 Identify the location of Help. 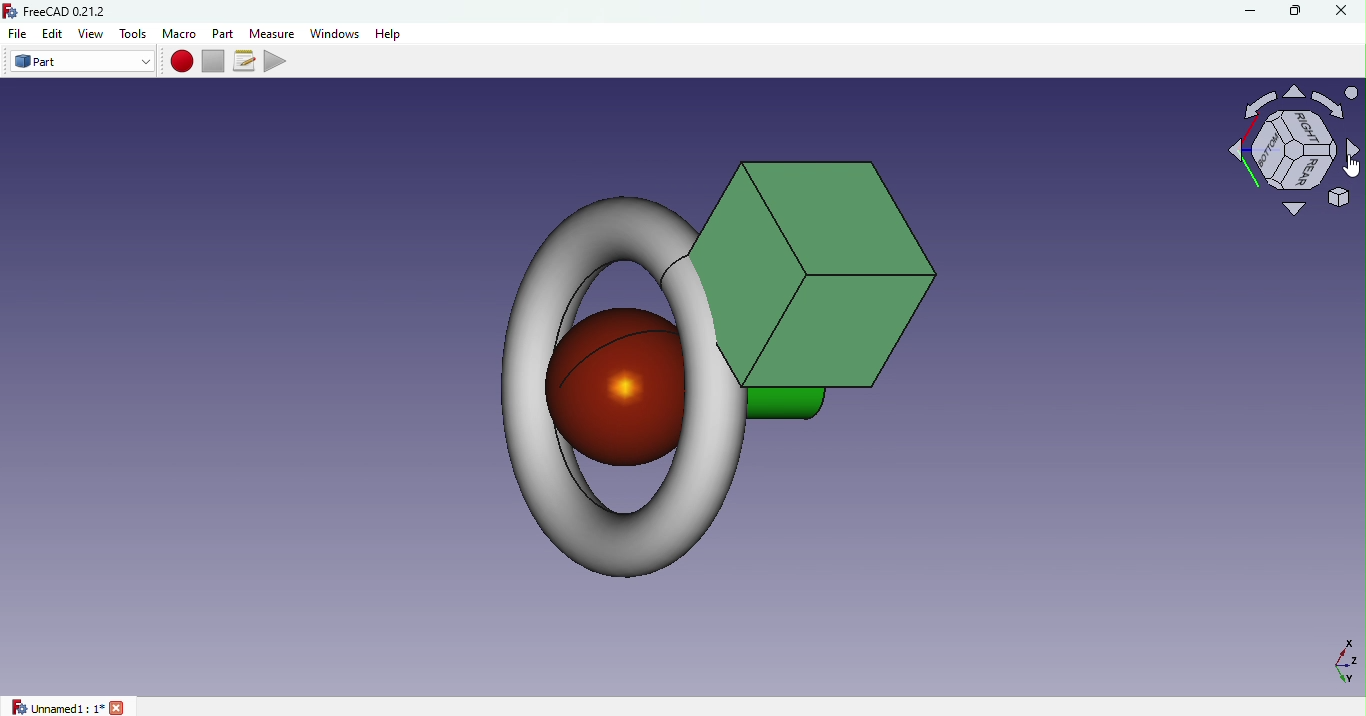
(391, 35).